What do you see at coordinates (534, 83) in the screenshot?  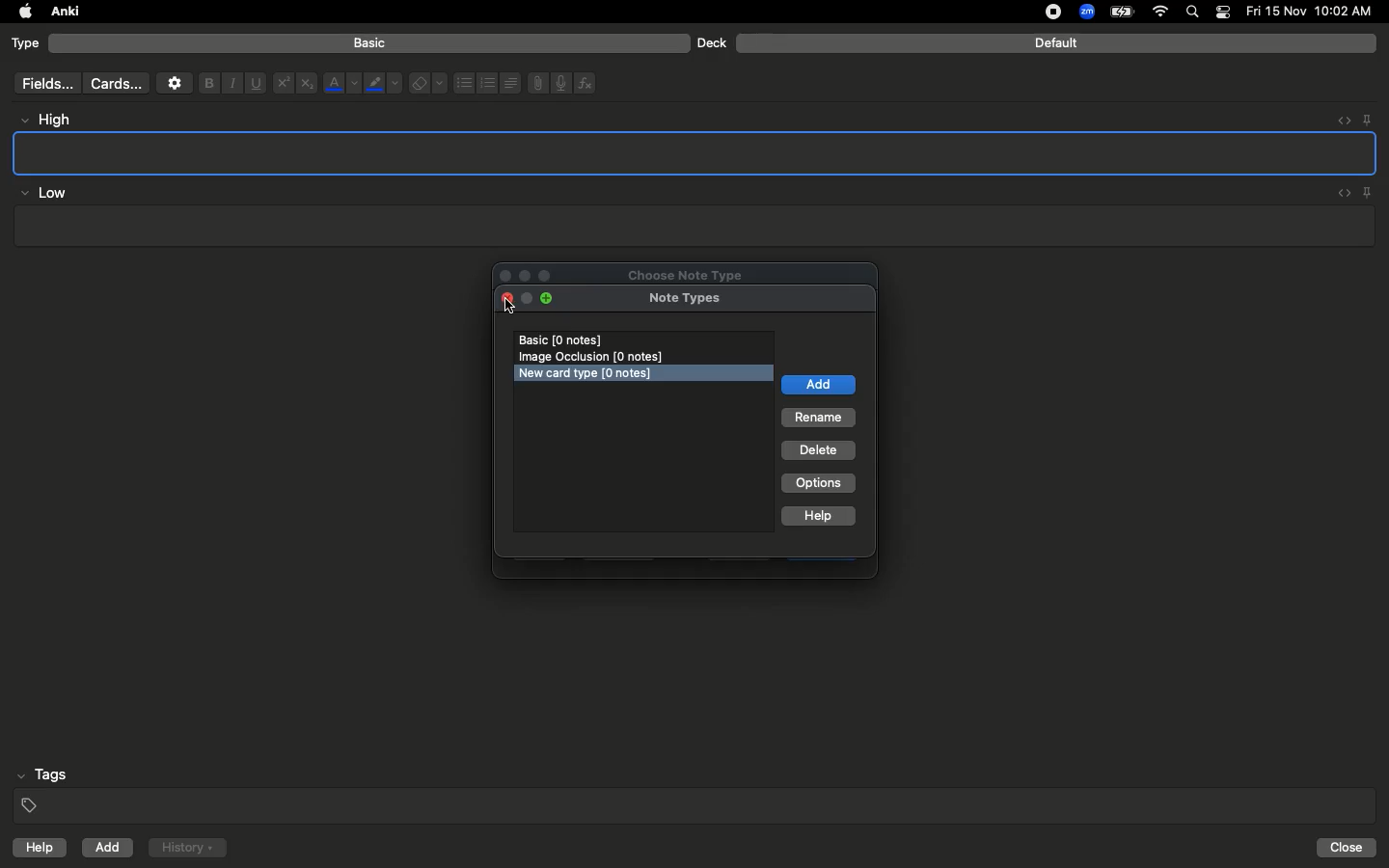 I see `File` at bounding box center [534, 83].